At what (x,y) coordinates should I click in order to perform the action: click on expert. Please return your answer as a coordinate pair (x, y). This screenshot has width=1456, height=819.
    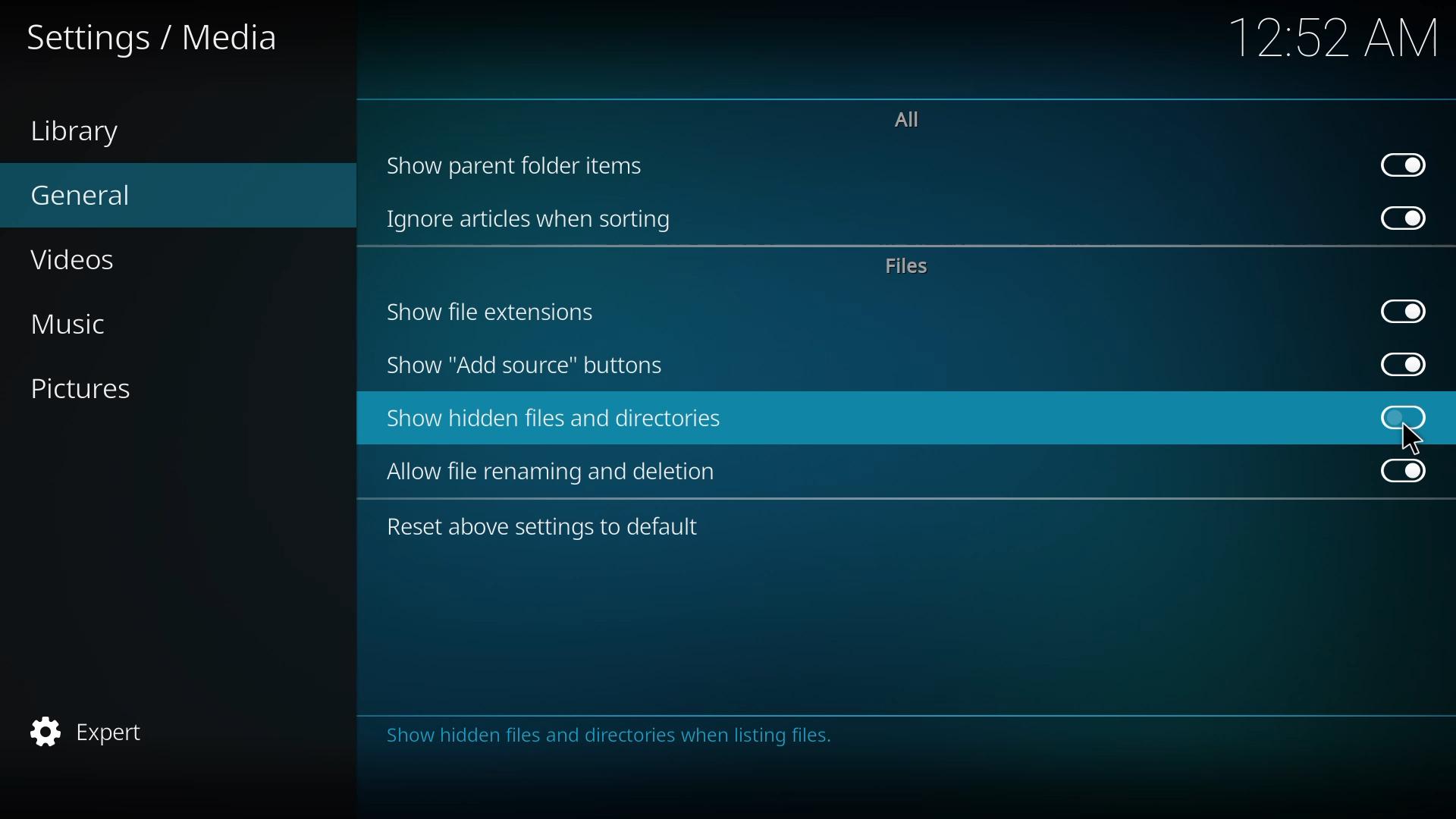
    Looking at the image, I should click on (94, 730).